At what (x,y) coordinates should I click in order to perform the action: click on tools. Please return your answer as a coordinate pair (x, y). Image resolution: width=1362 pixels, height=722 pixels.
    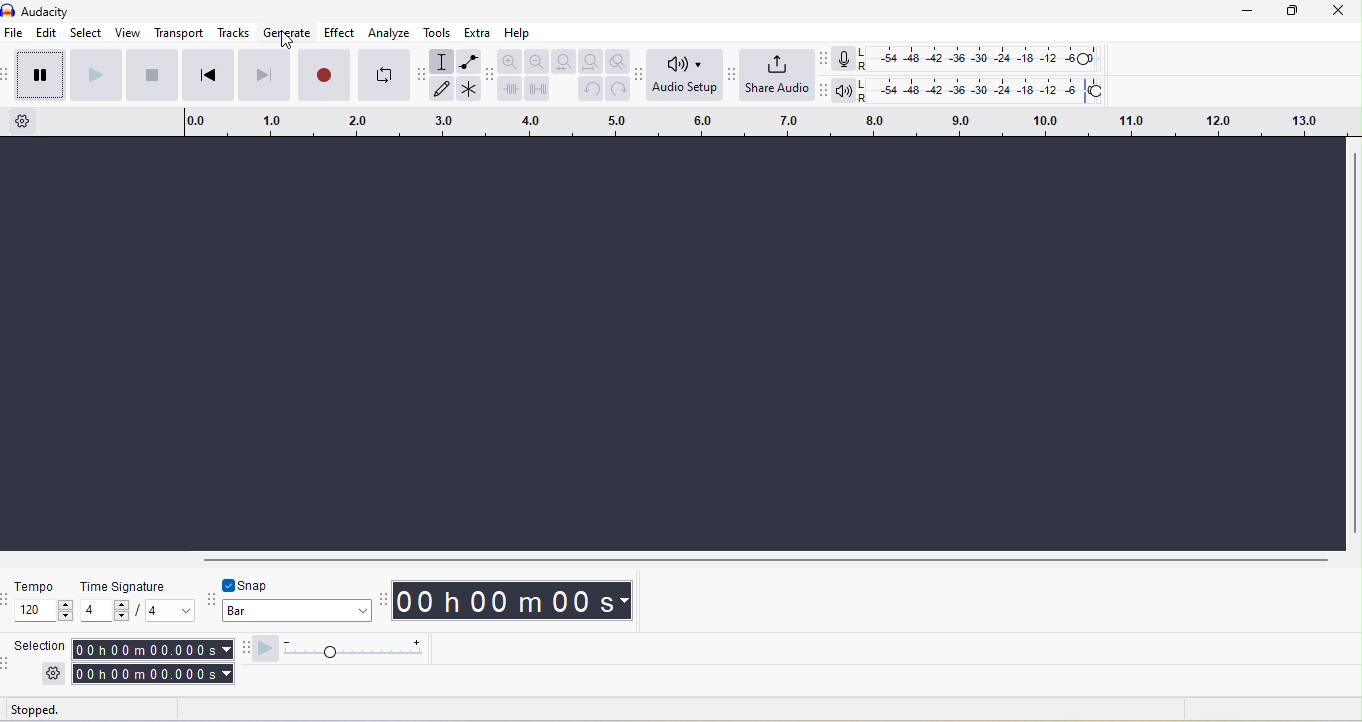
    Looking at the image, I should click on (439, 32).